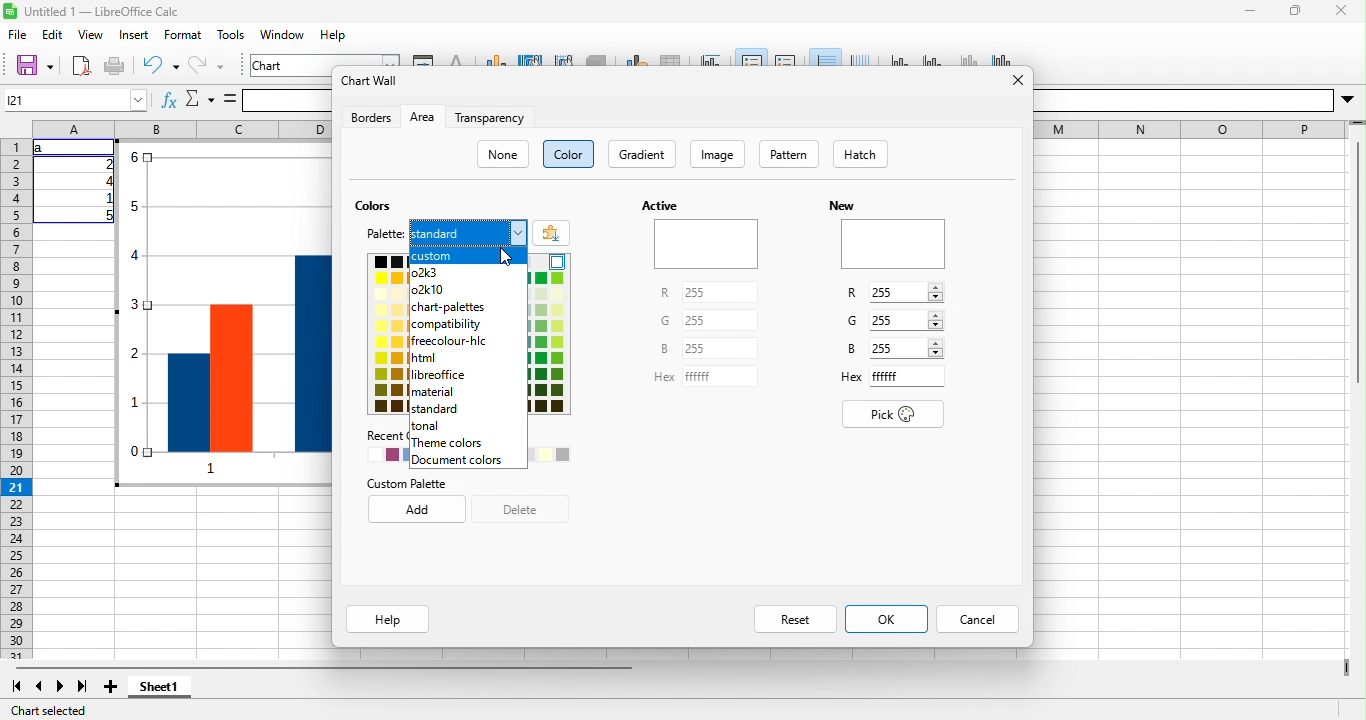 The height and width of the screenshot is (720, 1366). What do you see at coordinates (665, 320) in the screenshot?
I see `G` at bounding box center [665, 320].